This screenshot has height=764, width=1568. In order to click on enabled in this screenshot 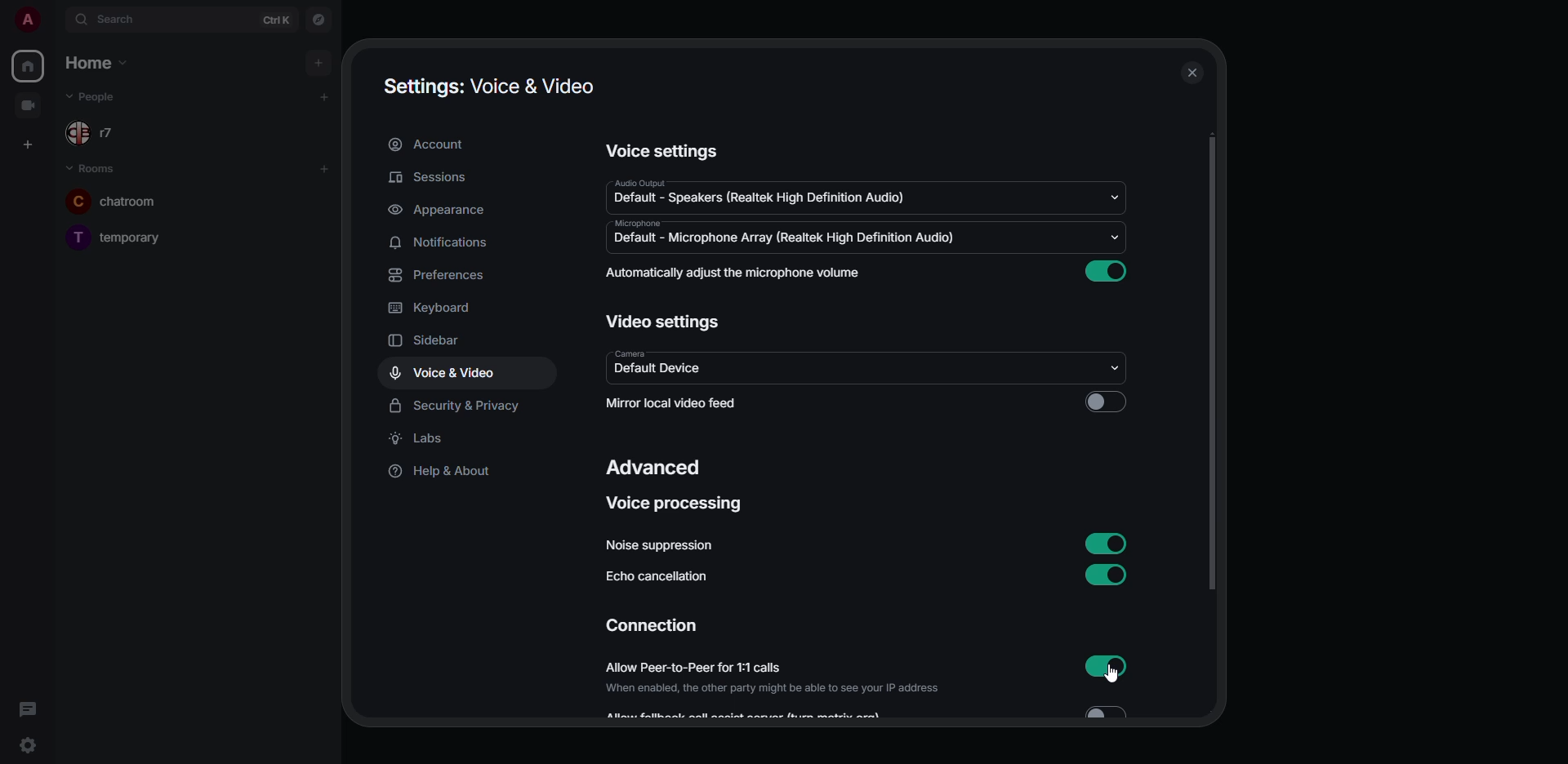, I will do `click(1105, 542)`.